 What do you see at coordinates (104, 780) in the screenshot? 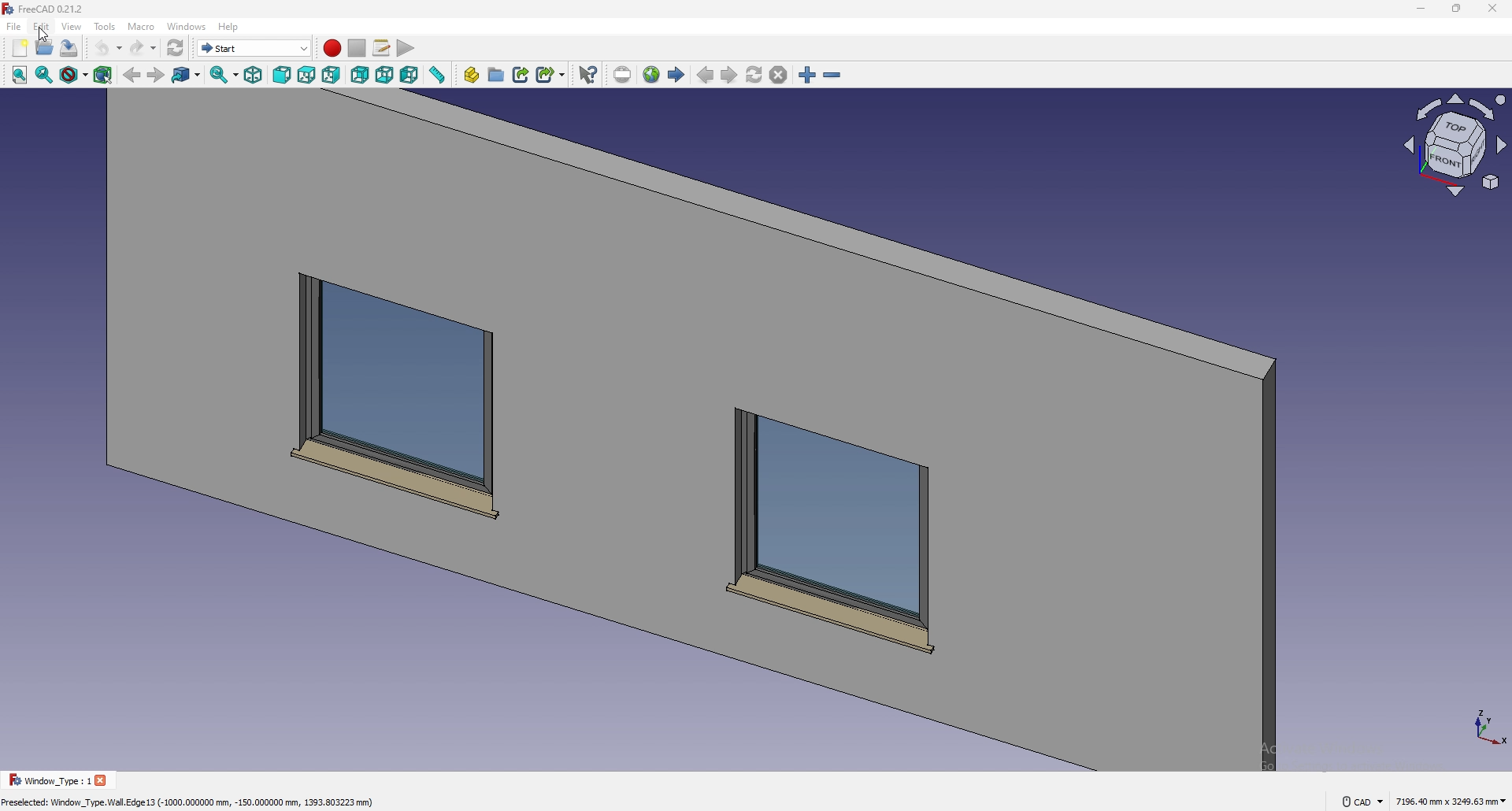
I see `close` at bounding box center [104, 780].